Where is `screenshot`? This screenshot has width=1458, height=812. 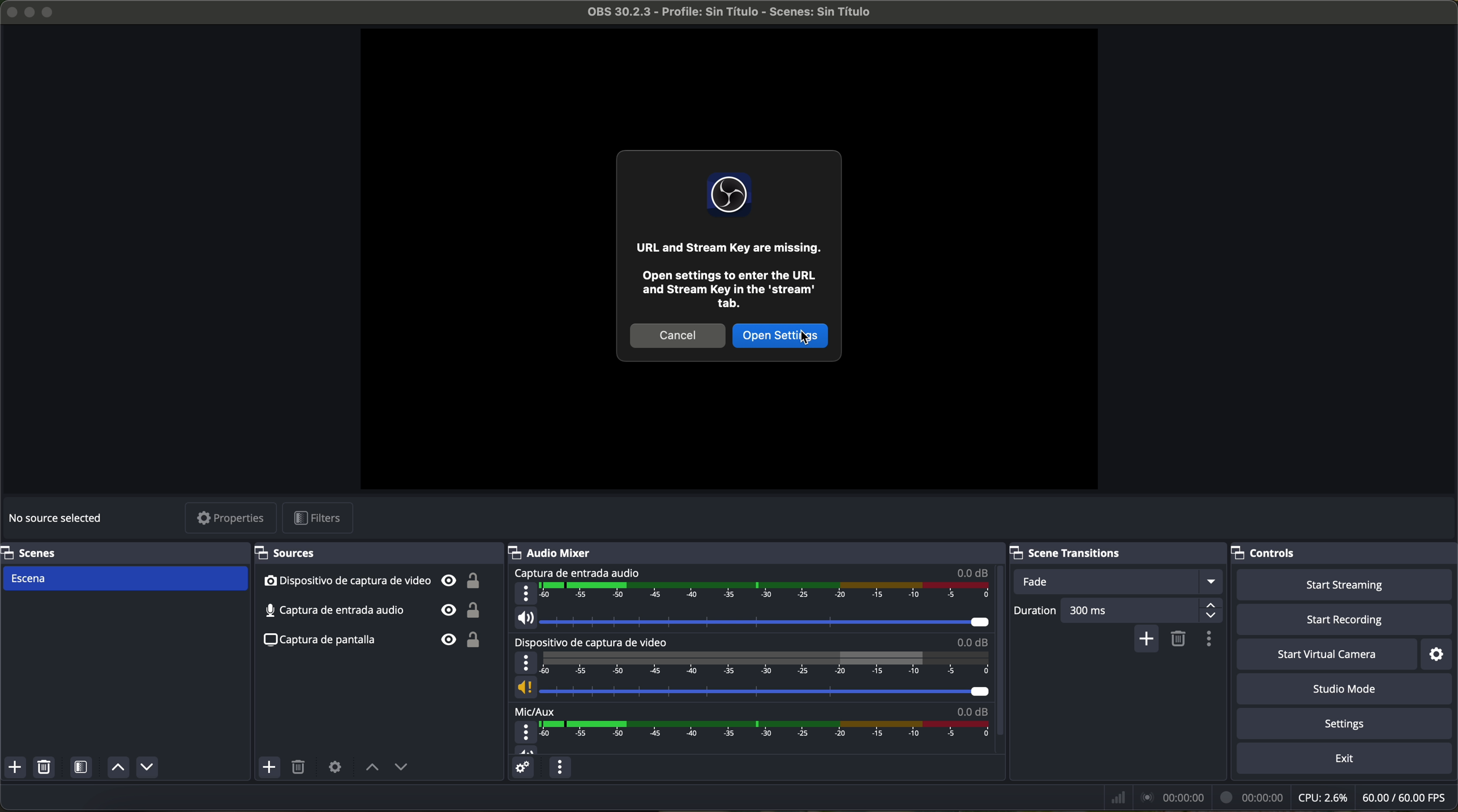
screenshot is located at coordinates (379, 639).